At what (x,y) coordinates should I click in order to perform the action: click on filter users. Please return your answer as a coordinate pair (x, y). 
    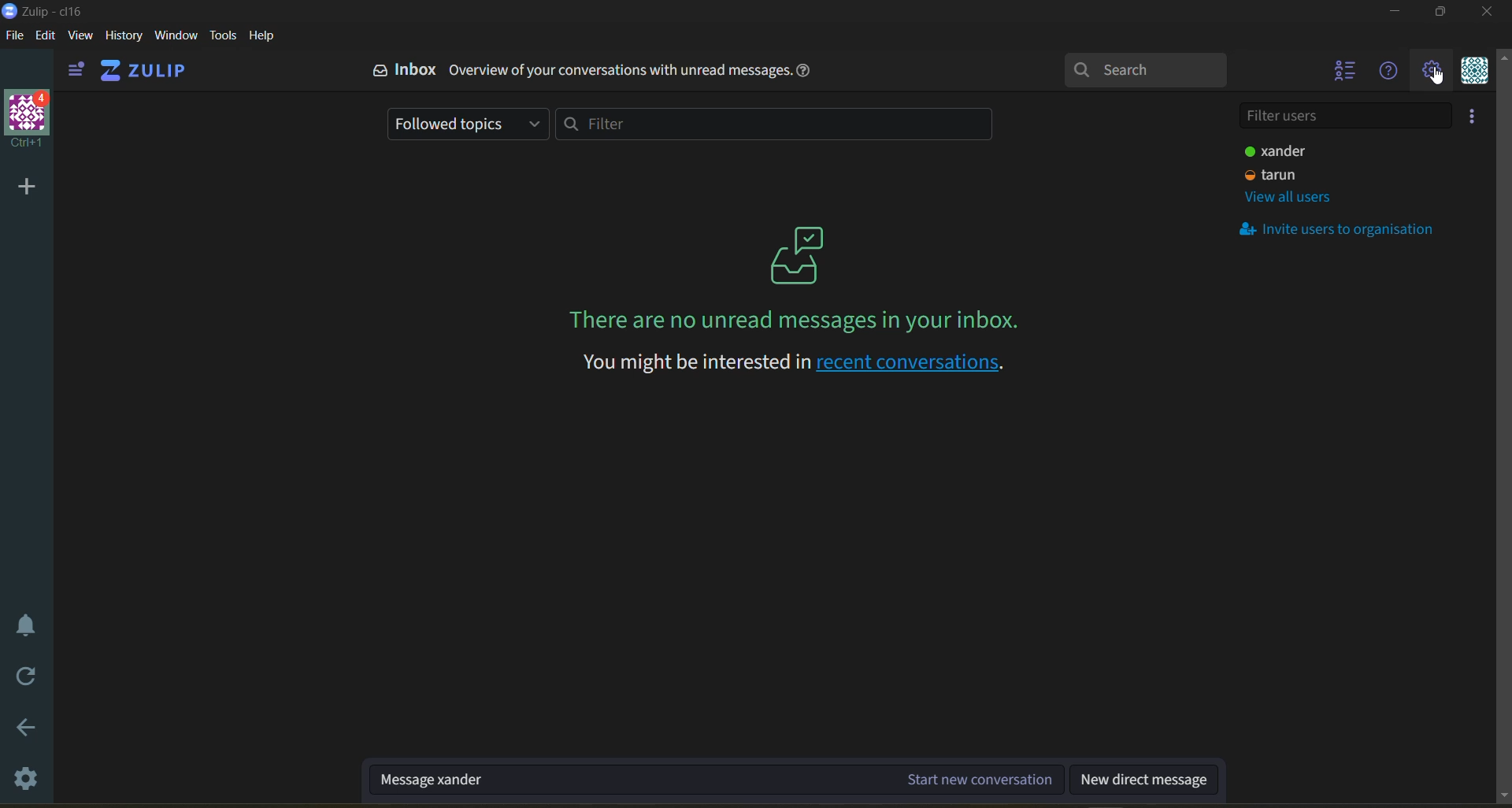
    Looking at the image, I should click on (1343, 113).